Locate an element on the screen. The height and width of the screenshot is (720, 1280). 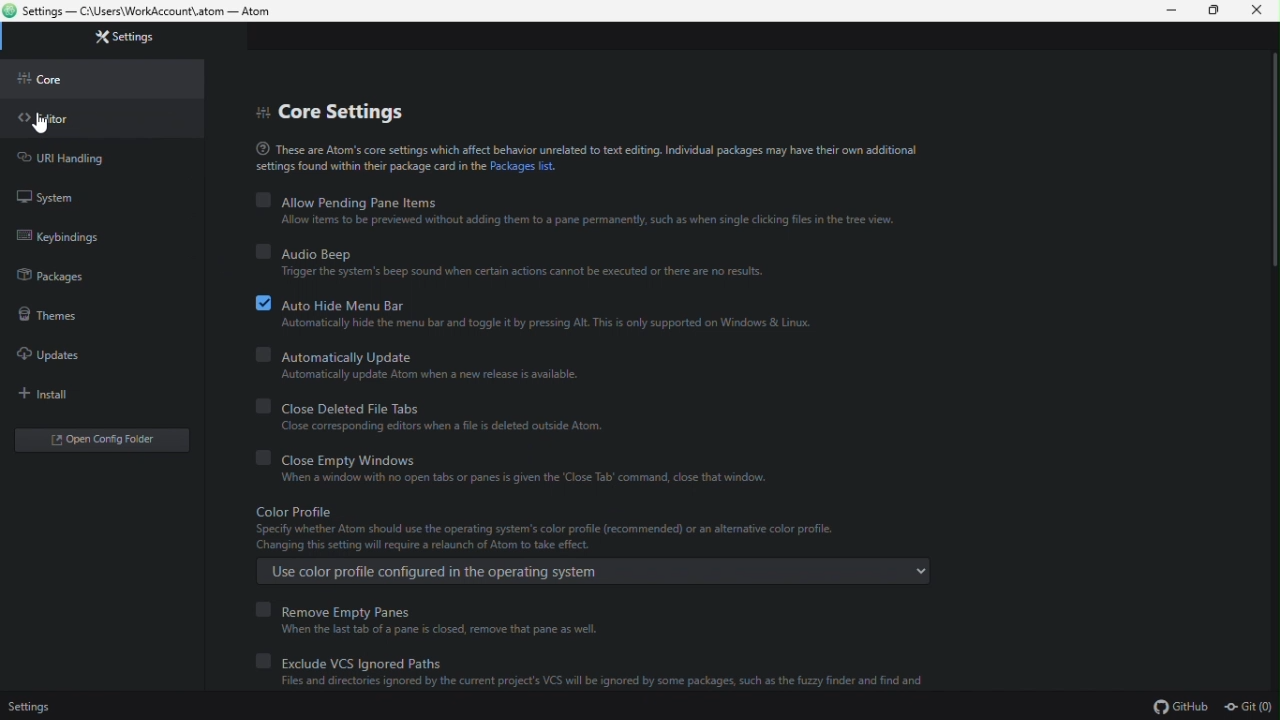
Exclude vcs ignored paths is located at coordinates (596, 660).